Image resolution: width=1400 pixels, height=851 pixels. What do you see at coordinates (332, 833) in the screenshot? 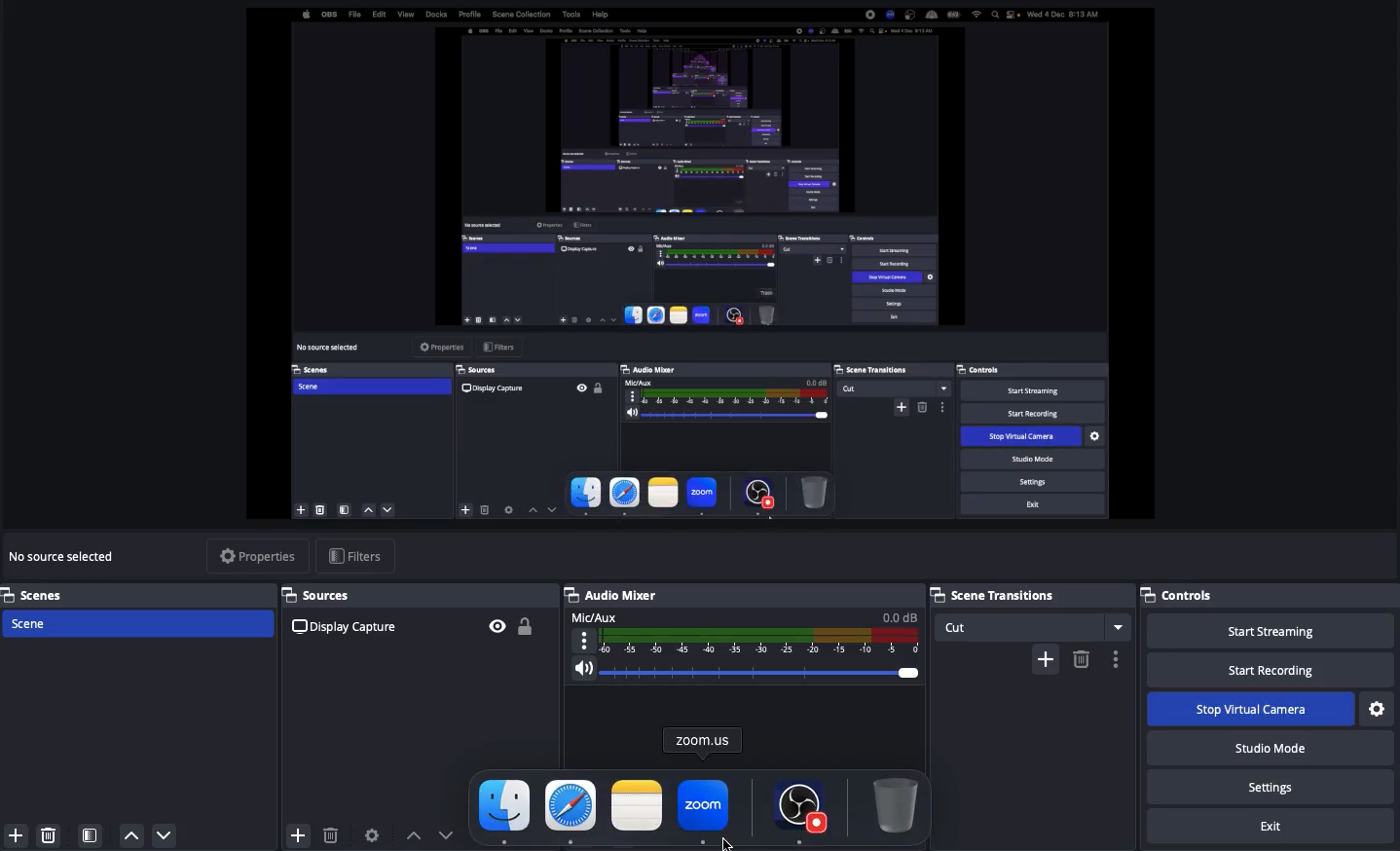
I see `delete` at bounding box center [332, 833].